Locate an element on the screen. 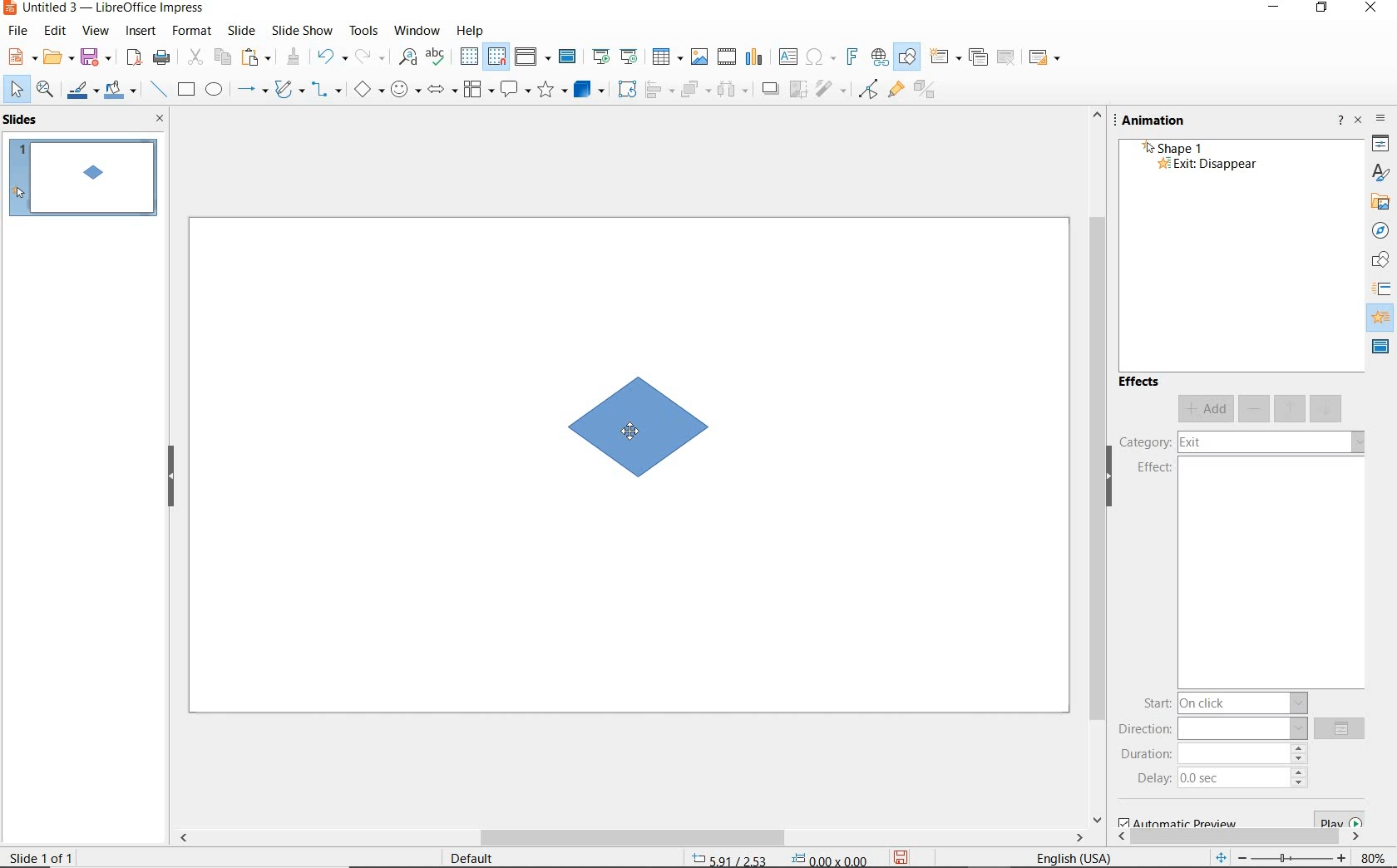 Image resolution: width=1397 pixels, height=868 pixels. animation is located at coordinates (1381, 318).